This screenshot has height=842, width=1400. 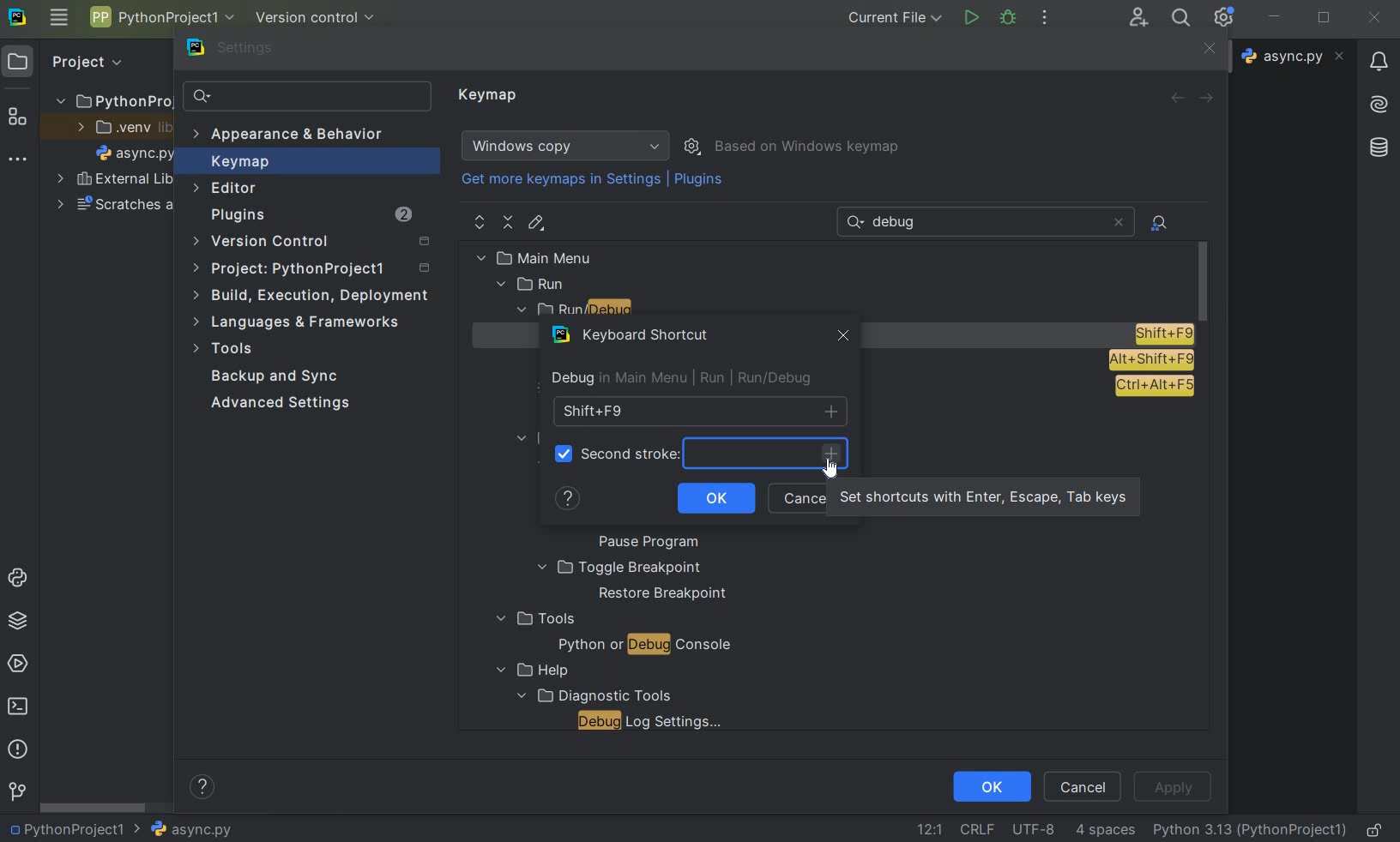 What do you see at coordinates (840, 338) in the screenshot?
I see `close` at bounding box center [840, 338].